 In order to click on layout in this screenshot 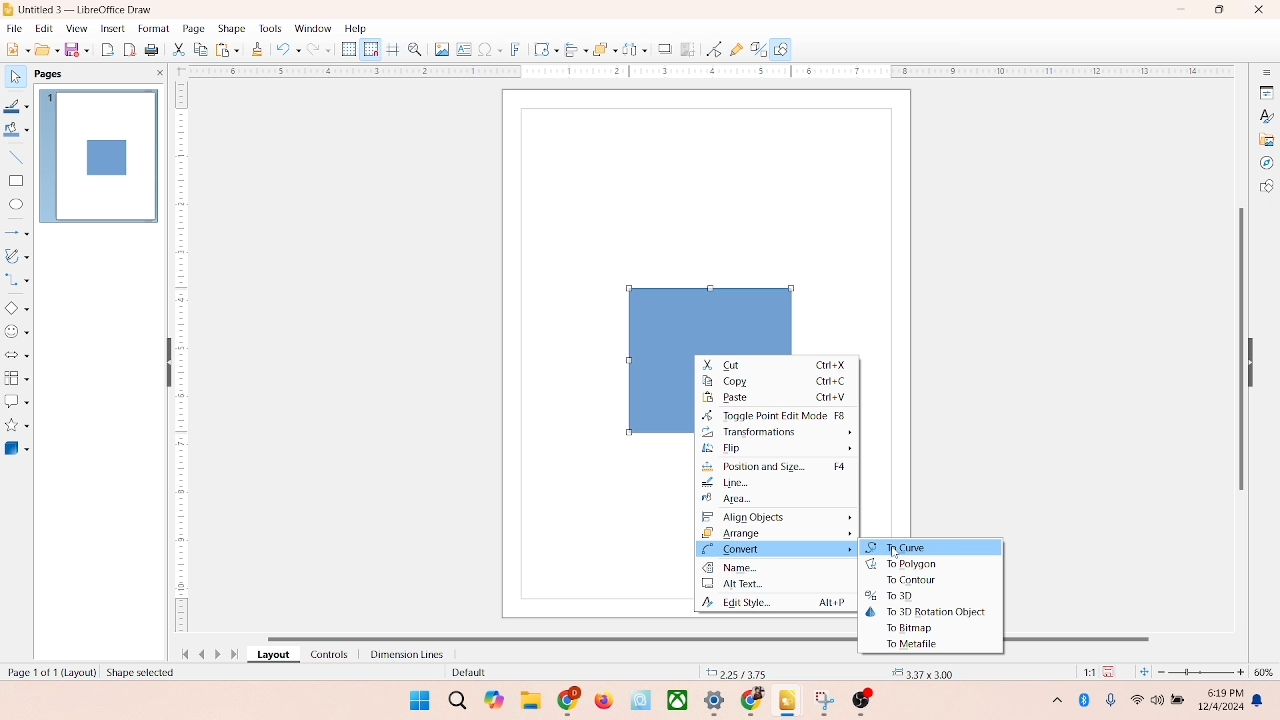, I will do `click(272, 655)`.